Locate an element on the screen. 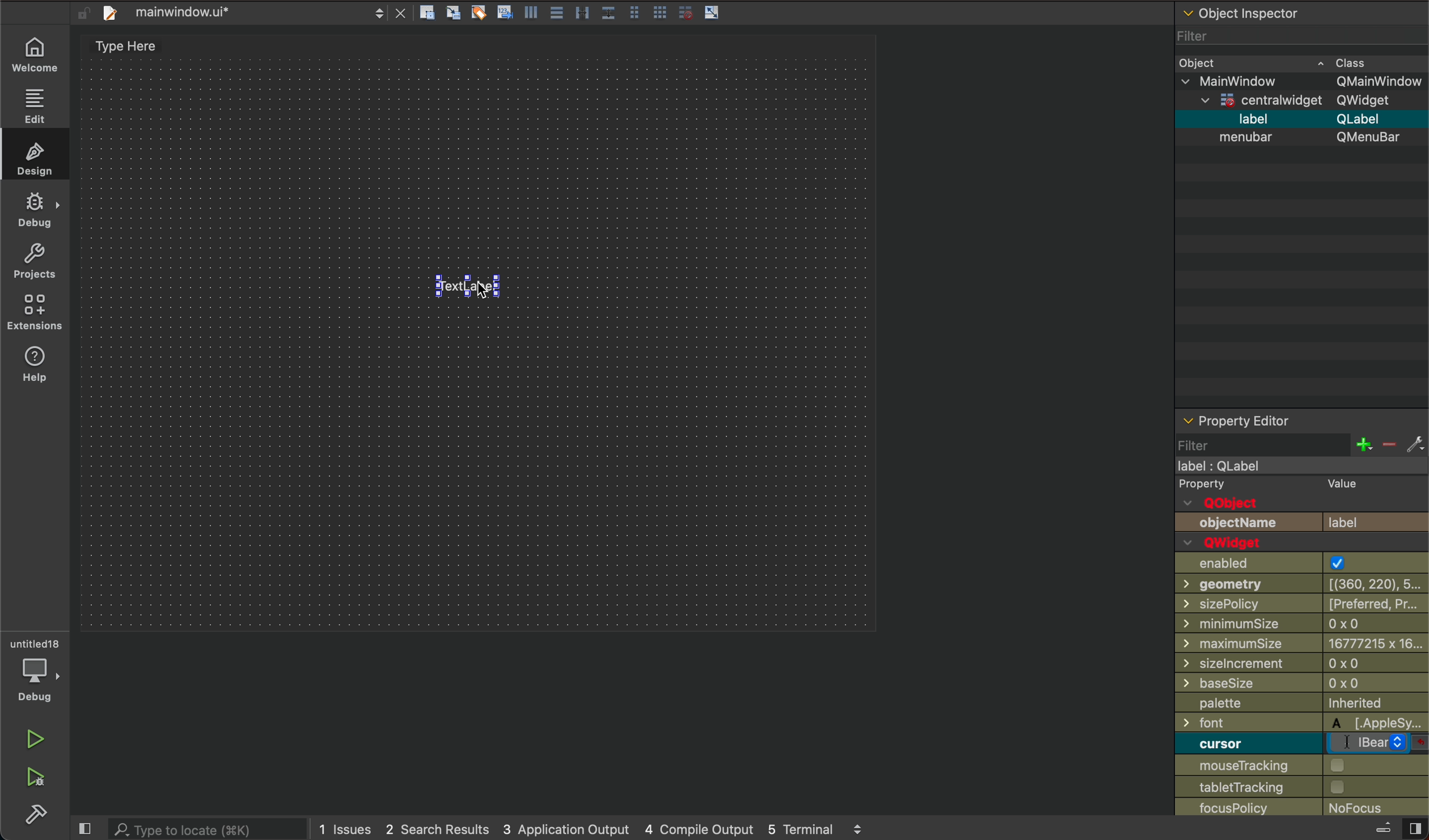 This screenshot has width=1429, height=840. Qwidget is located at coordinates (1369, 100).